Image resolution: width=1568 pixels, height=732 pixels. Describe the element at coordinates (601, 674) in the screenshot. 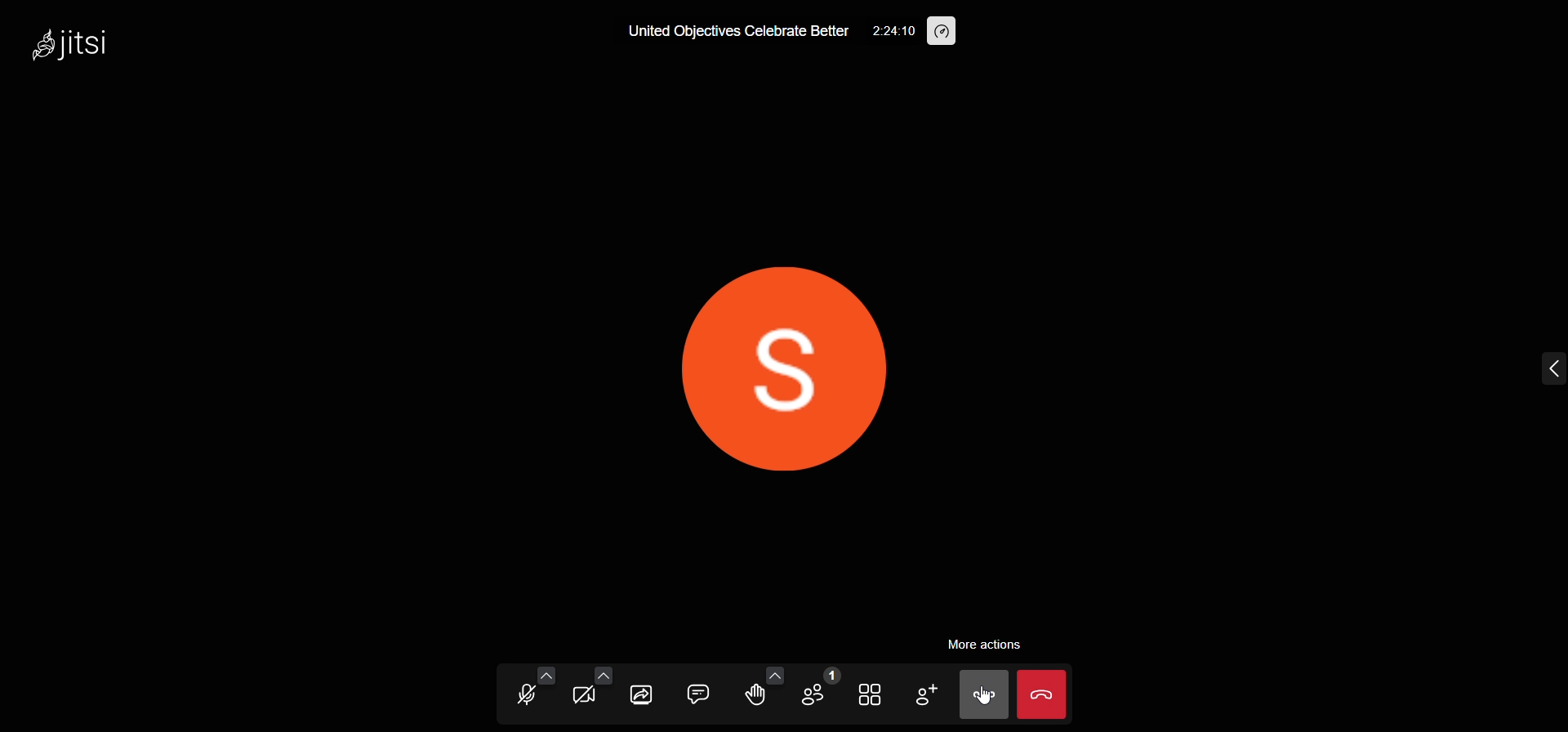

I see `more video options` at that location.